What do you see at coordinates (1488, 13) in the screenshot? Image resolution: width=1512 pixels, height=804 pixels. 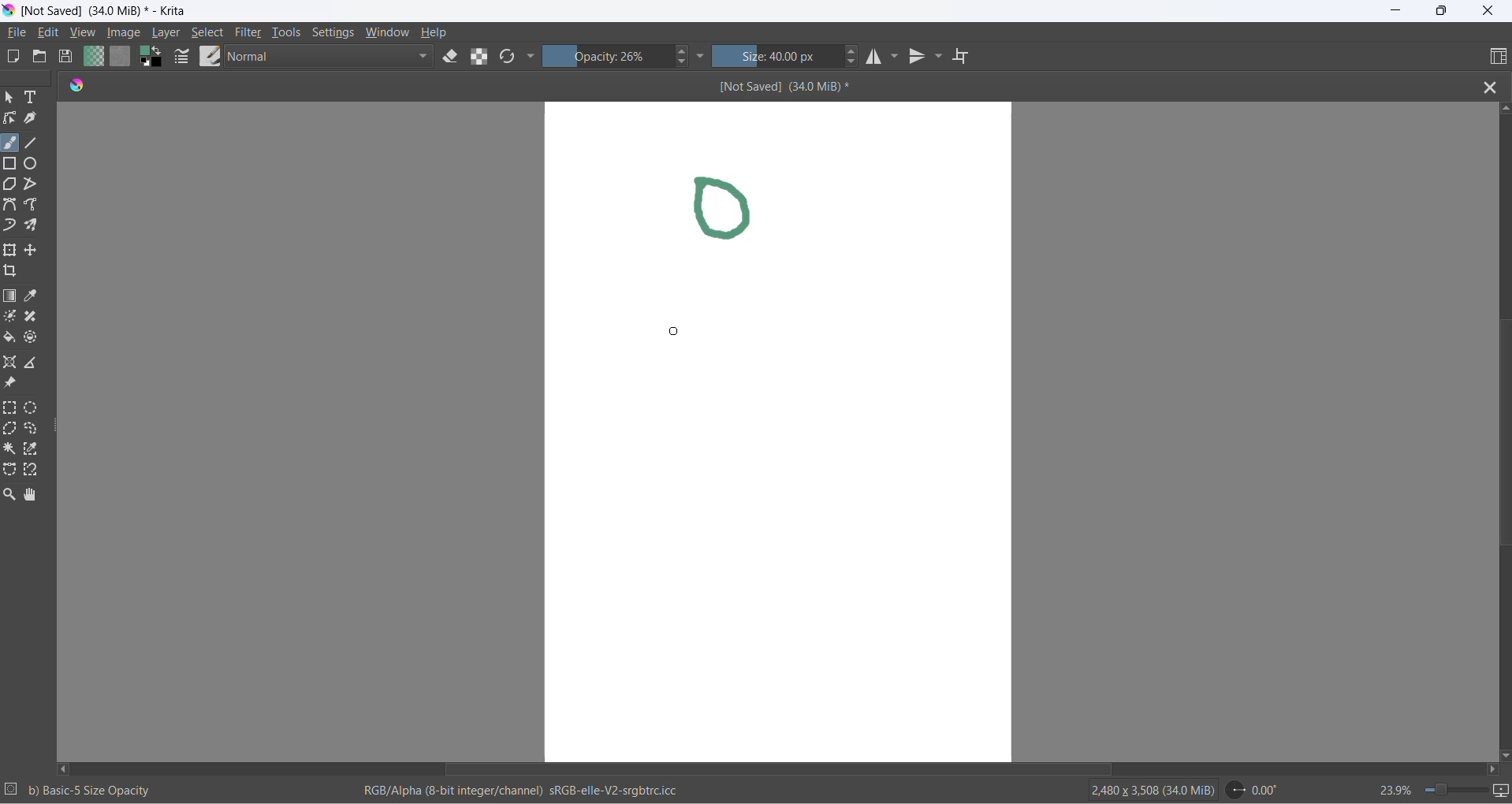 I see `close` at bounding box center [1488, 13].